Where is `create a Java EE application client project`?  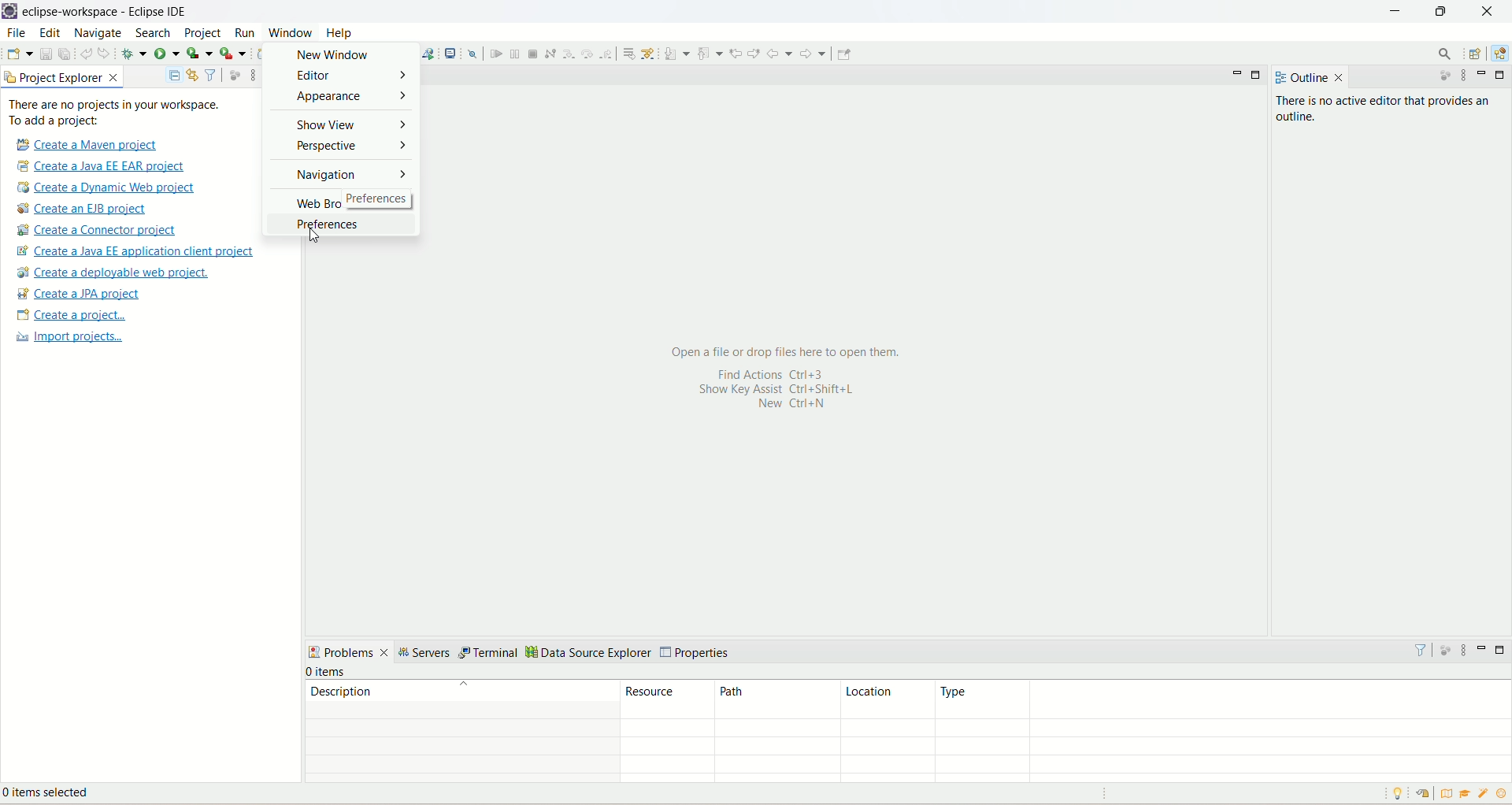 create a Java EE application client project is located at coordinates (135, 253).